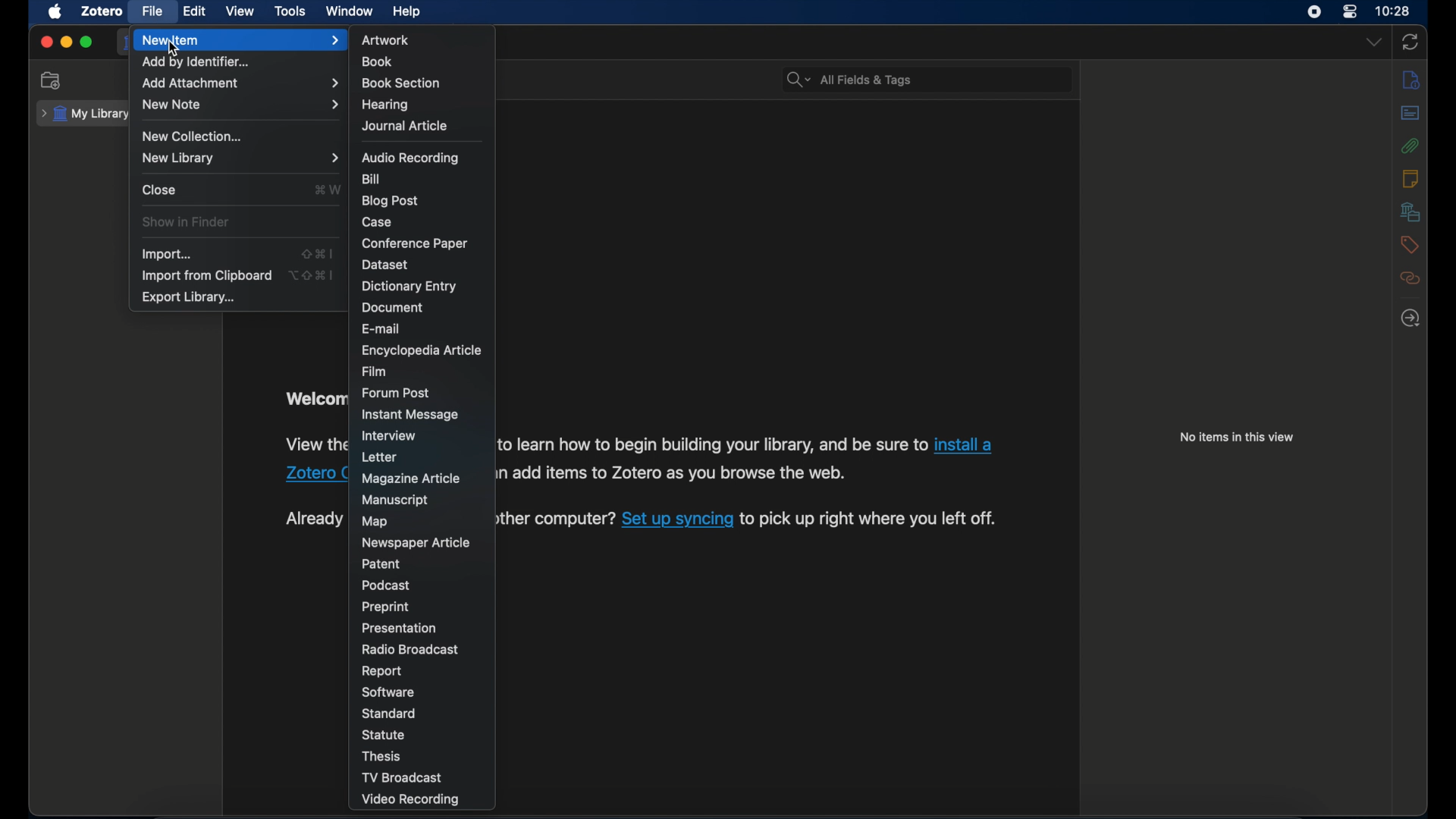  What do you see at coordinates (86, 42) in the screenshot?
I see `maximize` at bounding box center [86, 42].